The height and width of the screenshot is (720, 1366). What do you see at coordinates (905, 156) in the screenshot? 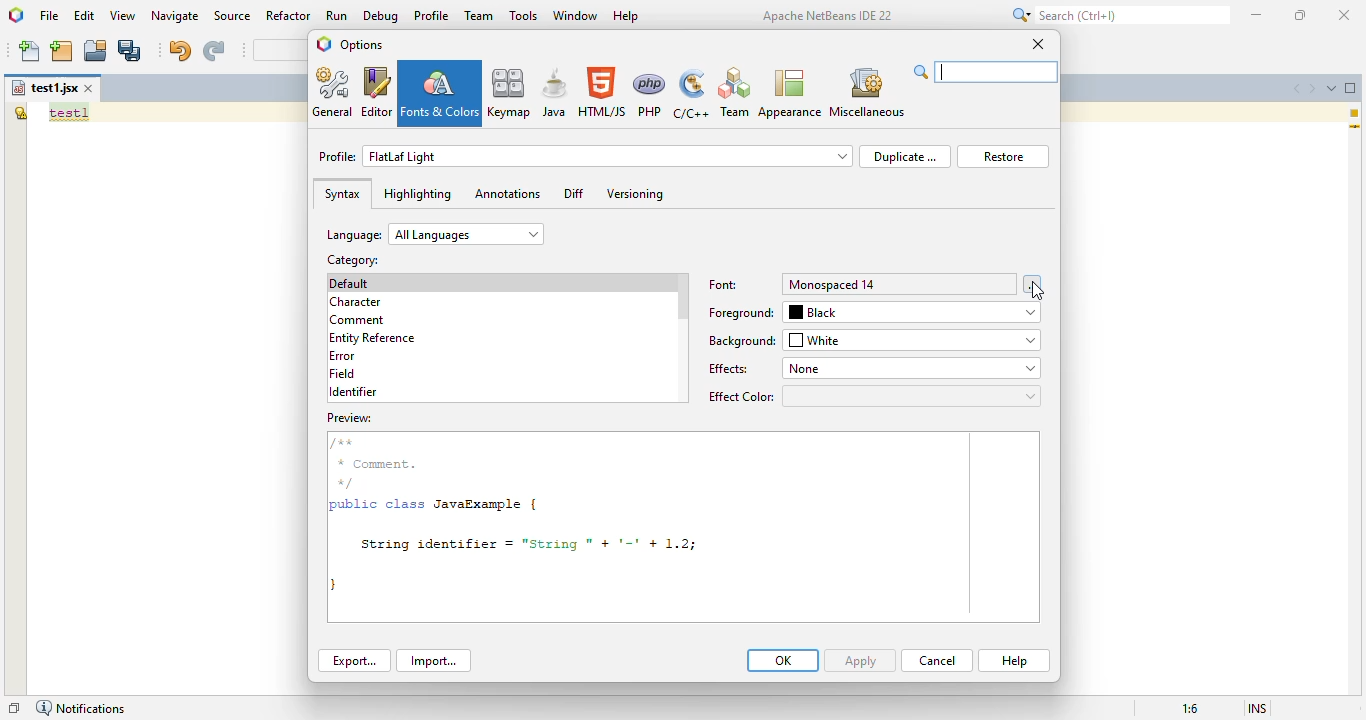
I see `duplicate` at bounding box center [905, 156].